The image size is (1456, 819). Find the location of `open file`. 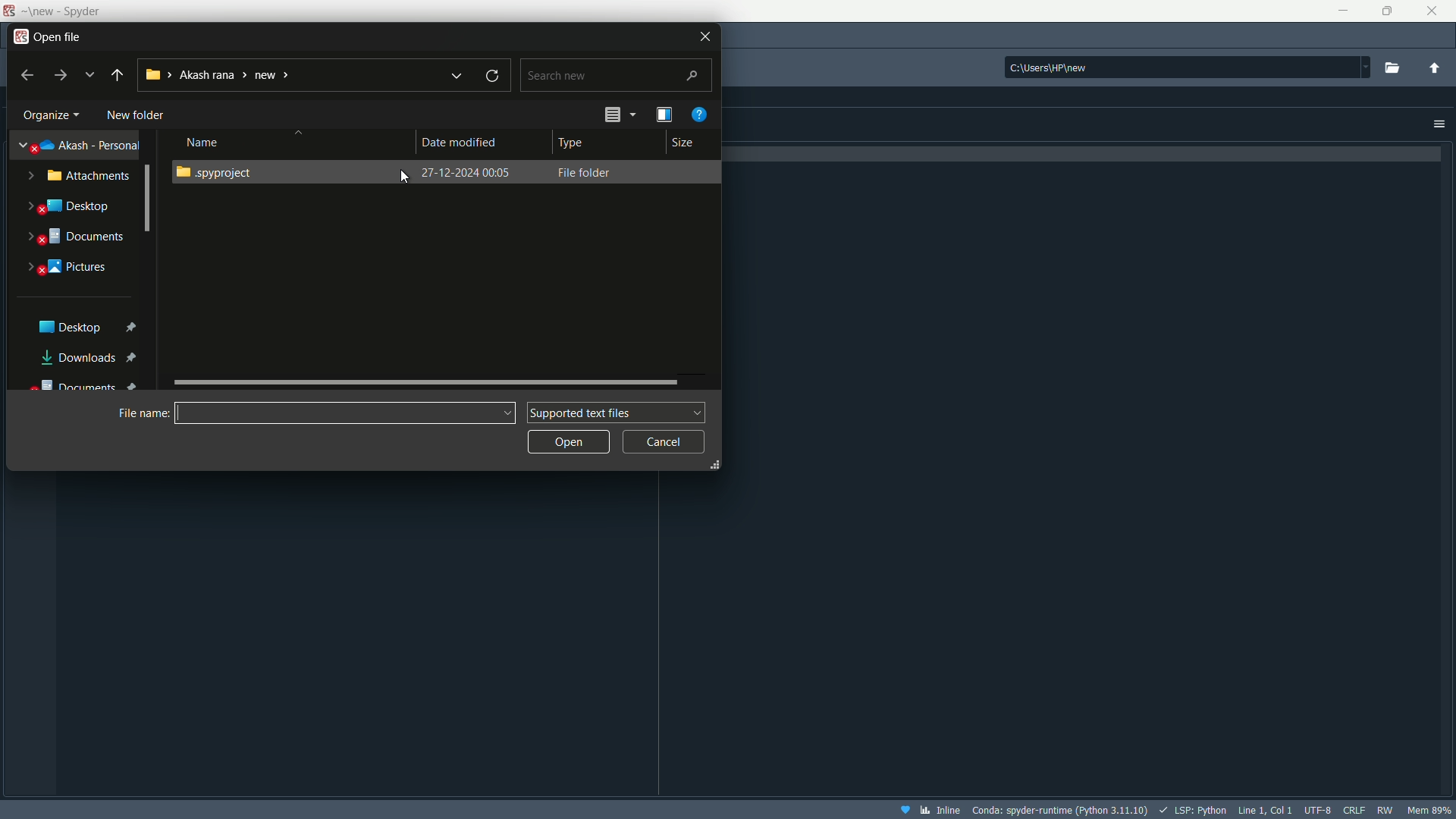

open file is located at coordinates (60, 38).